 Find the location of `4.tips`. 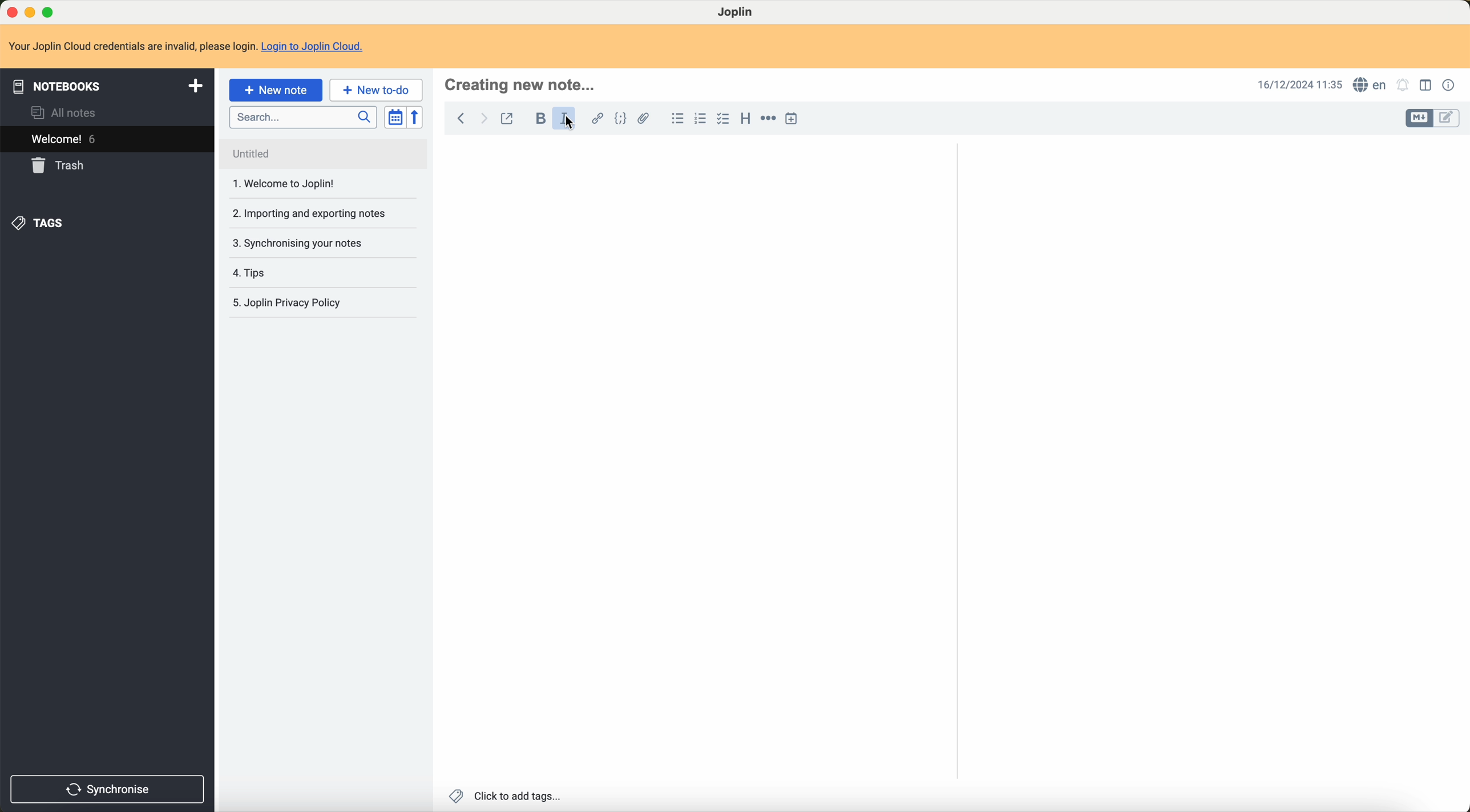

4.tips is located at coordinates (253, 273).